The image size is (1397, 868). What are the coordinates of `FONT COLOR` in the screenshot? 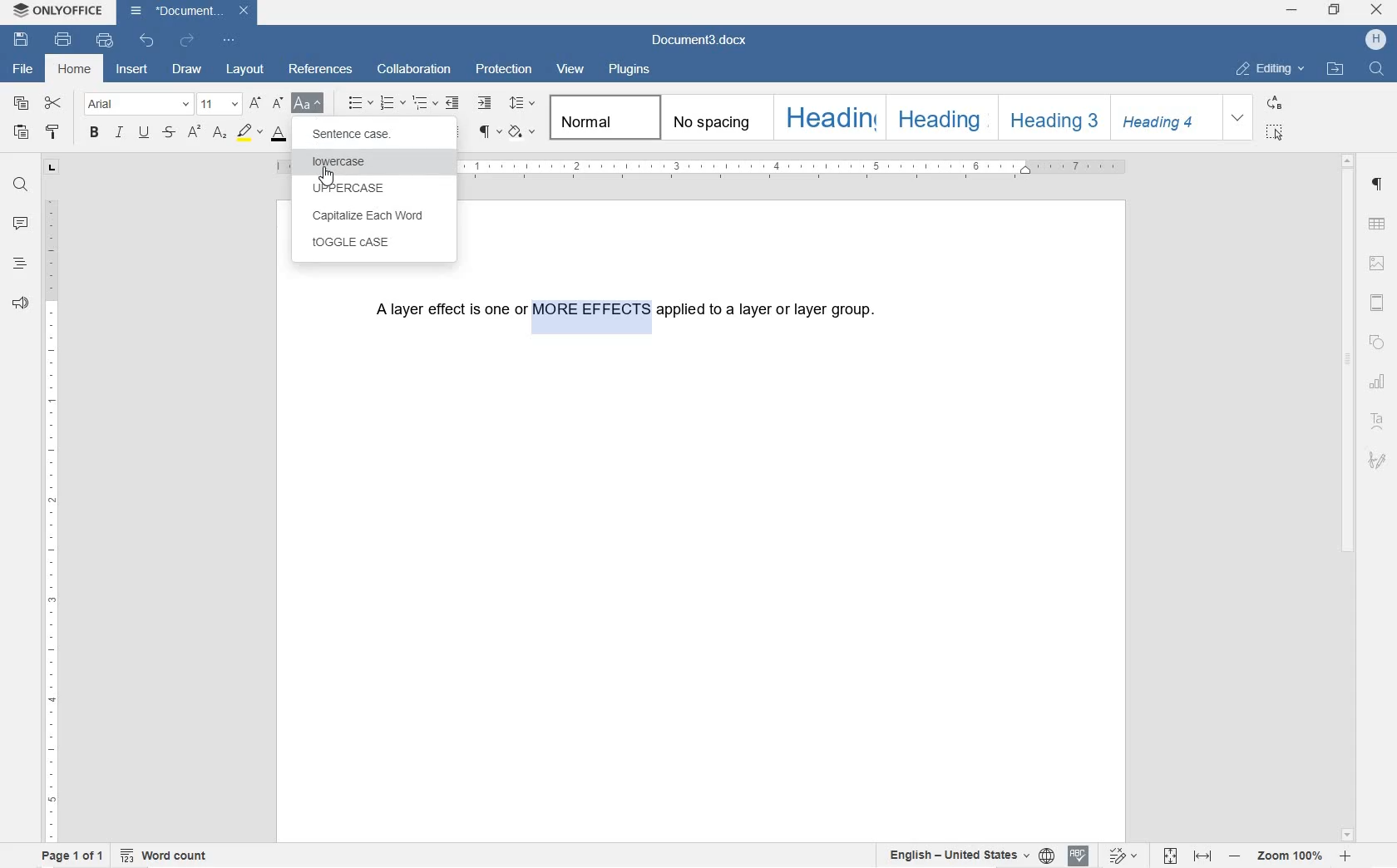 It's located at (282, 134).